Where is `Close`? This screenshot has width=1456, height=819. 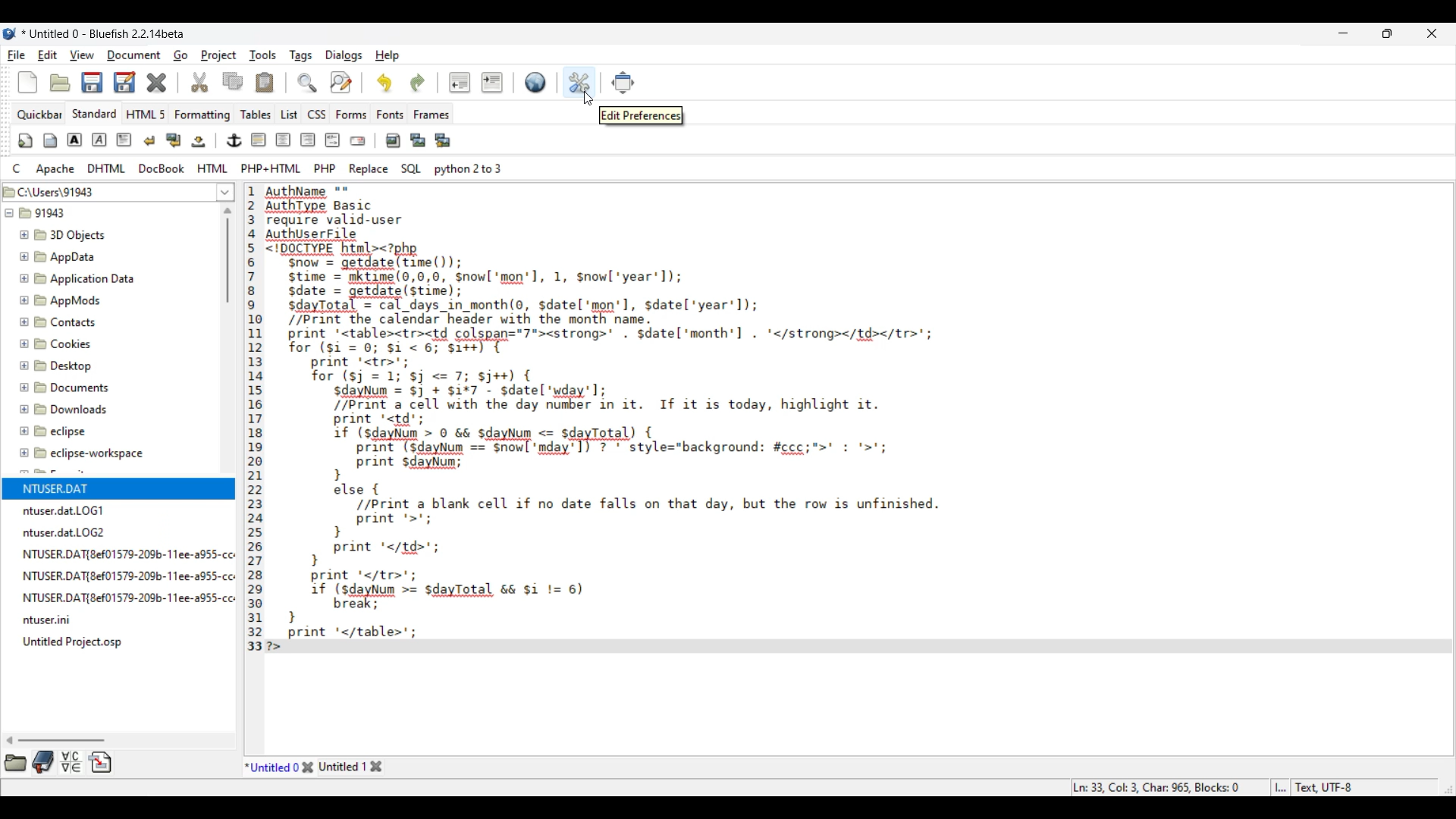
Close is located at coordinates (308, 767).